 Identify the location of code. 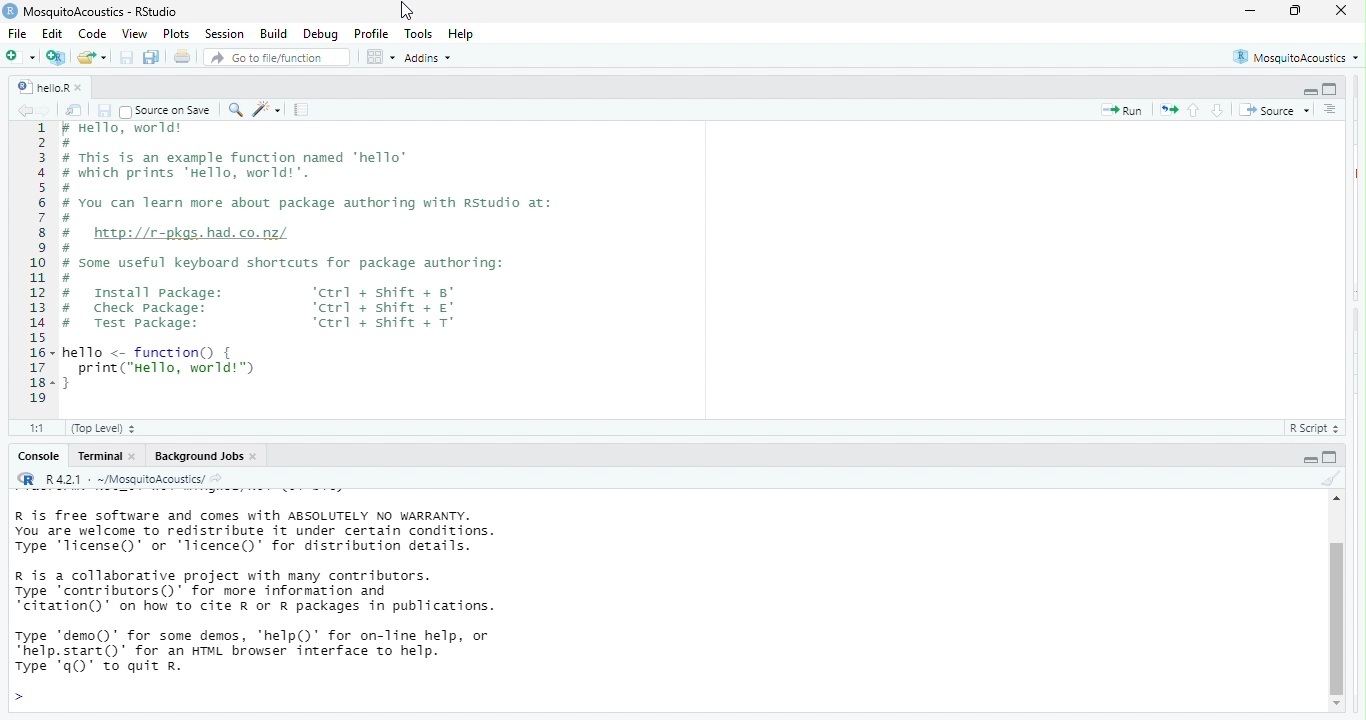
(94, 35).